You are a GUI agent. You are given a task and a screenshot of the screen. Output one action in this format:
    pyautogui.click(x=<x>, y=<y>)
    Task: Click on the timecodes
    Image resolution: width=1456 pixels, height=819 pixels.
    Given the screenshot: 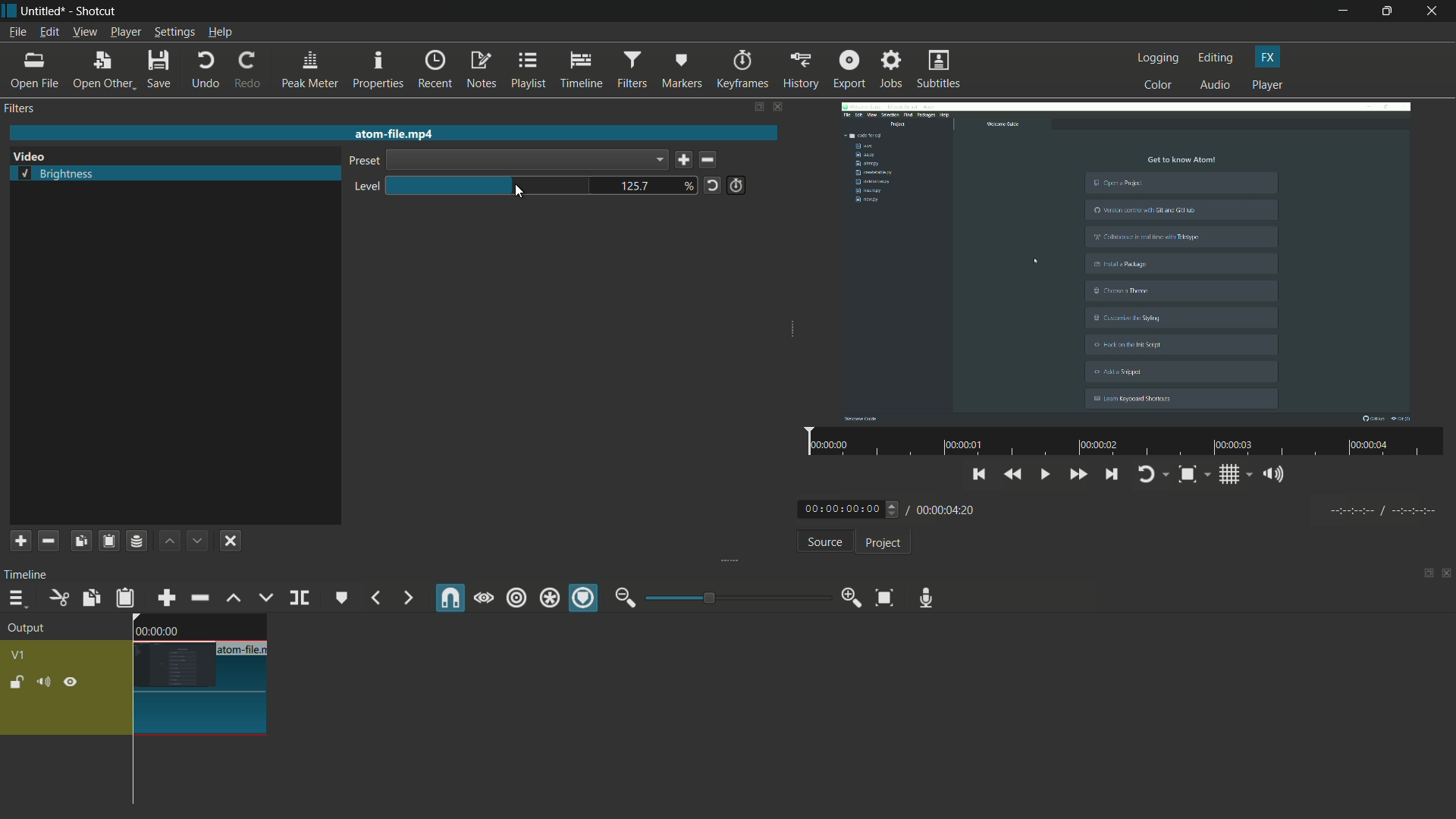 What is the action you would take?
    pyautogui.click(x=1381, y=508)
    